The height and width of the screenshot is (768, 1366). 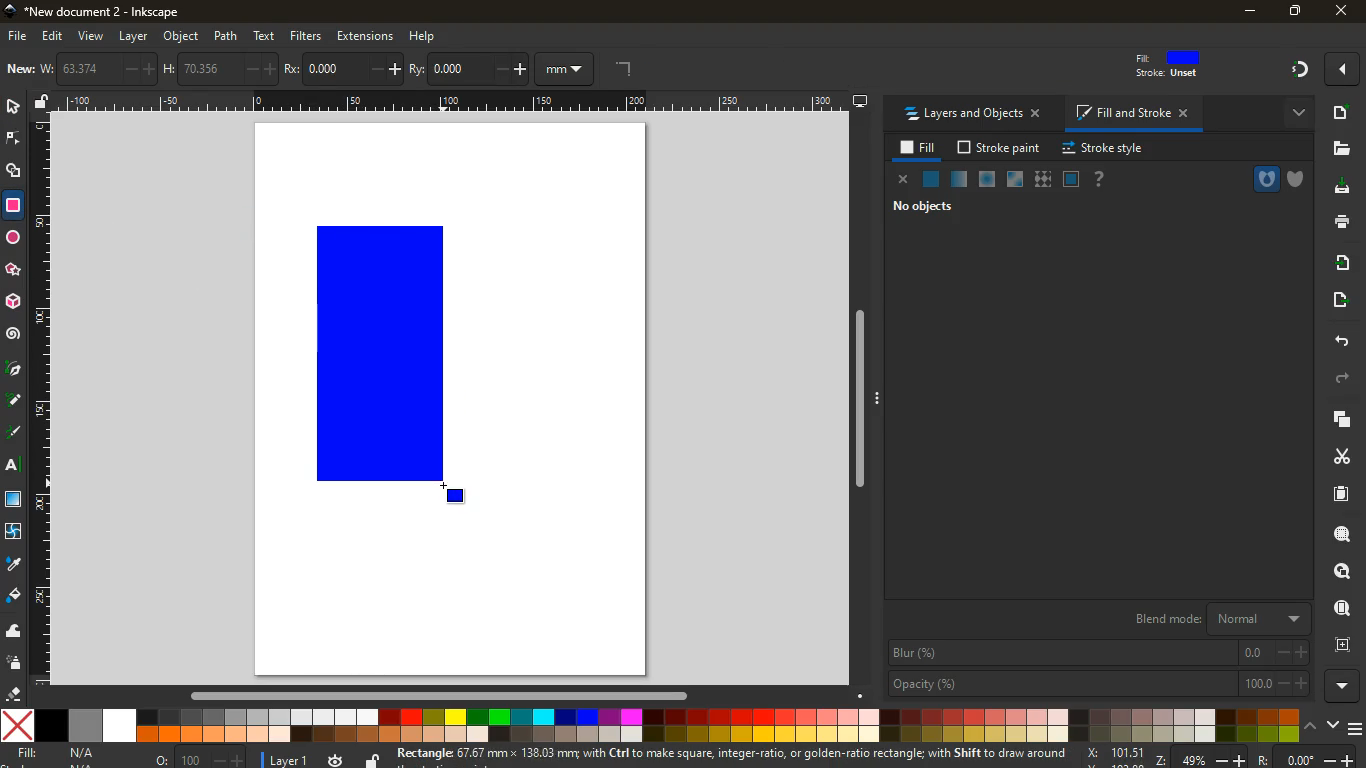 What do you see at coordinates (452, 492) in the screenshot?
I see `DRAG_TO Cursor` at bounding box center [452, 492].